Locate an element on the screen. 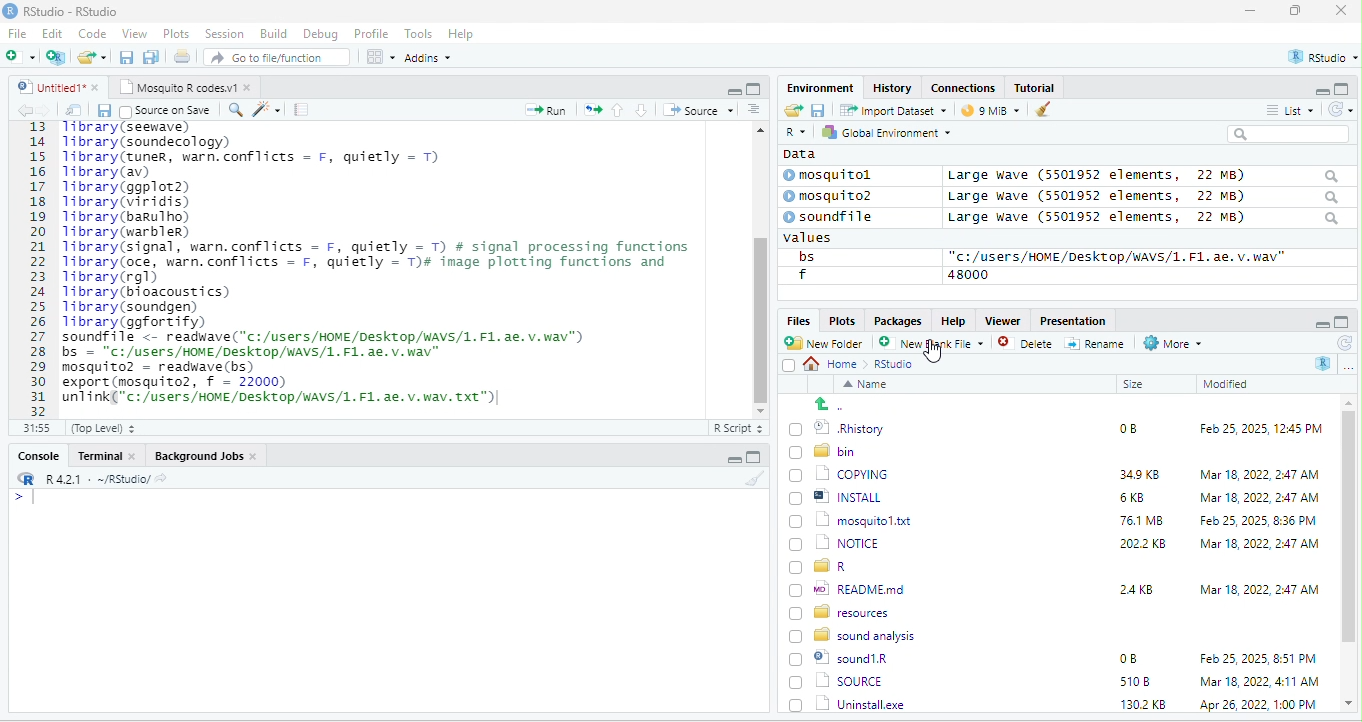 This screenshot has width=1362, height=722.  More  is located at coordinates (1171, 344).